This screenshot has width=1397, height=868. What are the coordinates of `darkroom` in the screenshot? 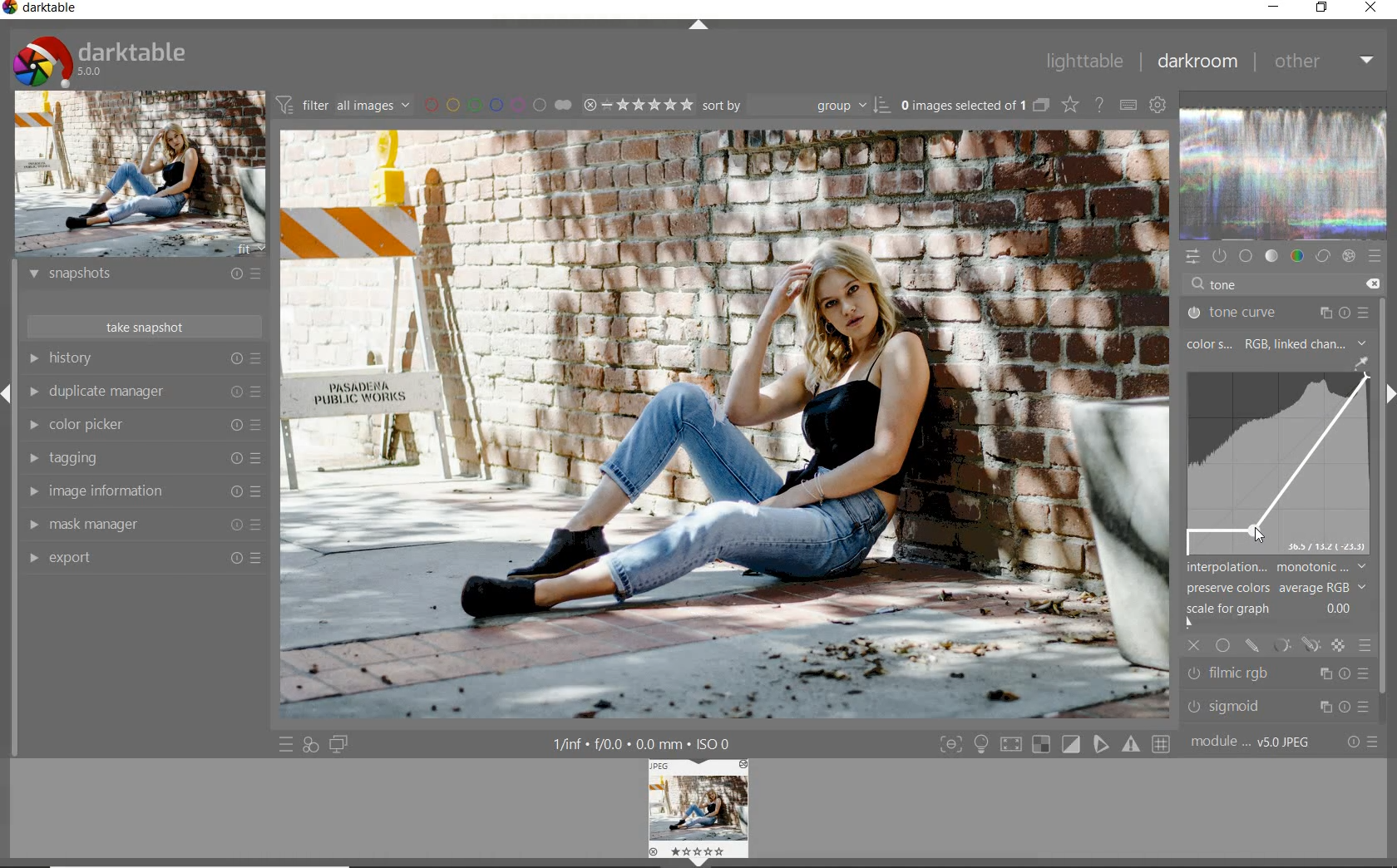 It's located at (1197, 62).